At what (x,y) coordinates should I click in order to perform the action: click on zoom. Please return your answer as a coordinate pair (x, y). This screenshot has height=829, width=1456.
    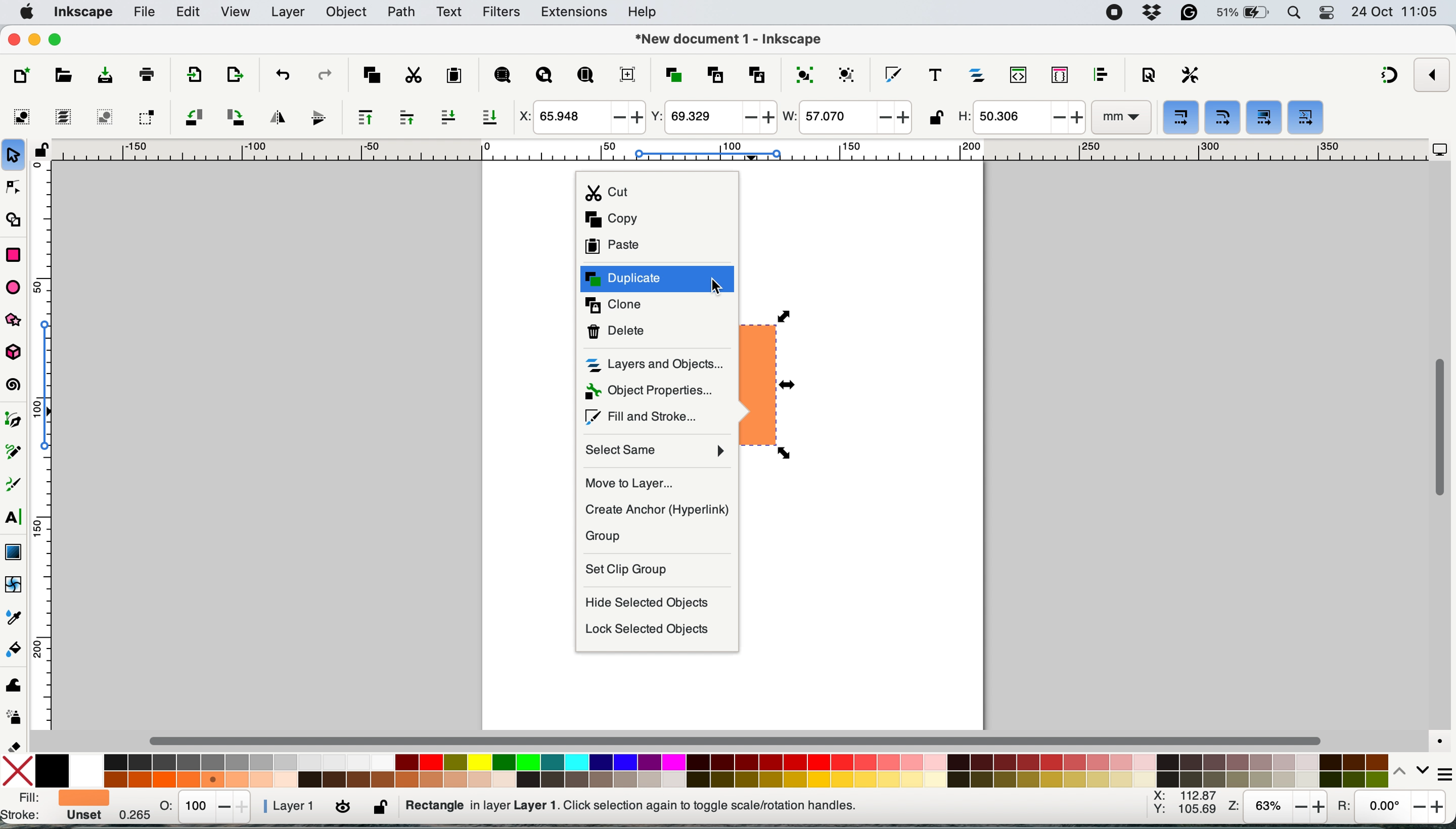
    Looking at the image, I should click on (1277, 808).